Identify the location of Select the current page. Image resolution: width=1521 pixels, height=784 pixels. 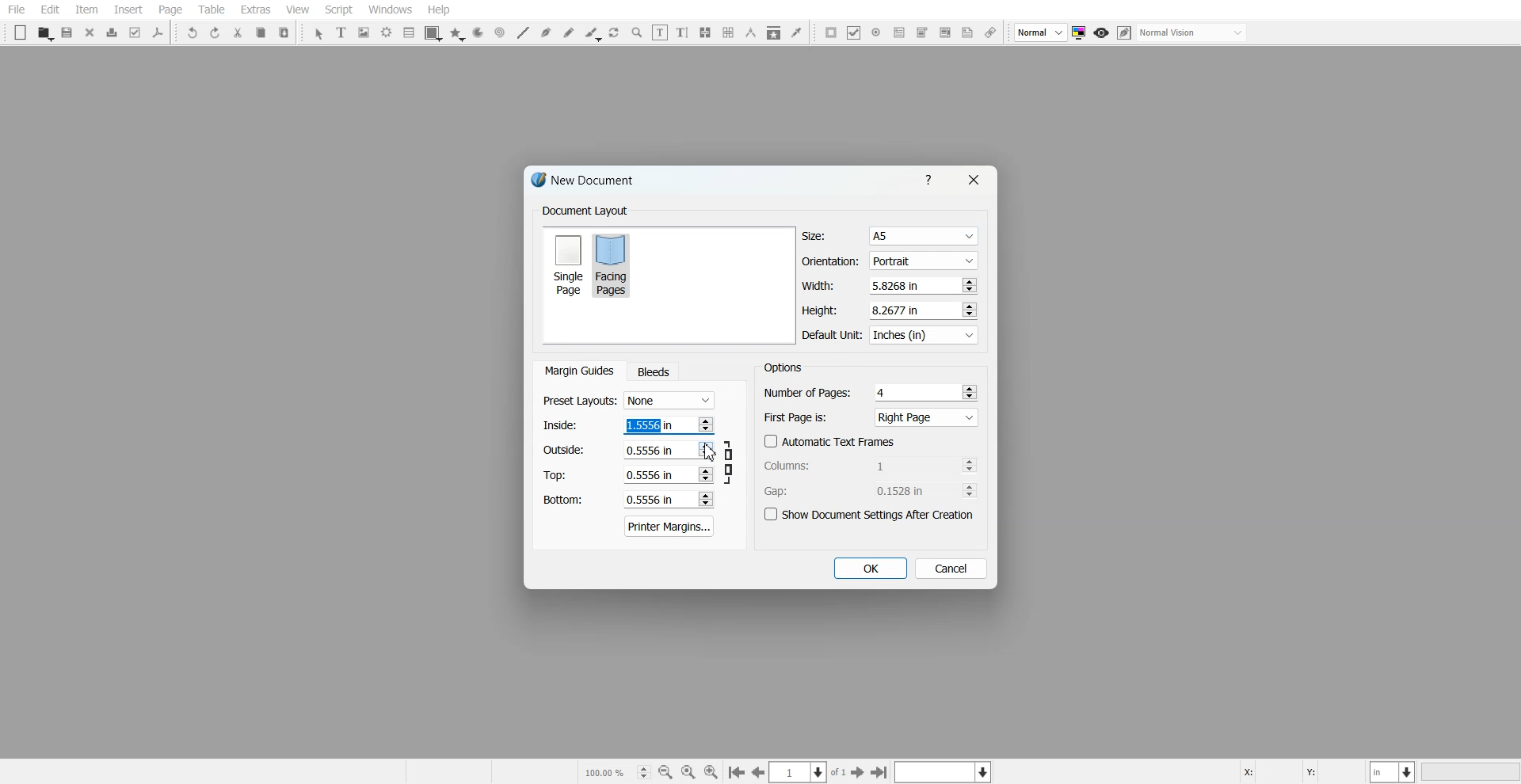
(809, 772).